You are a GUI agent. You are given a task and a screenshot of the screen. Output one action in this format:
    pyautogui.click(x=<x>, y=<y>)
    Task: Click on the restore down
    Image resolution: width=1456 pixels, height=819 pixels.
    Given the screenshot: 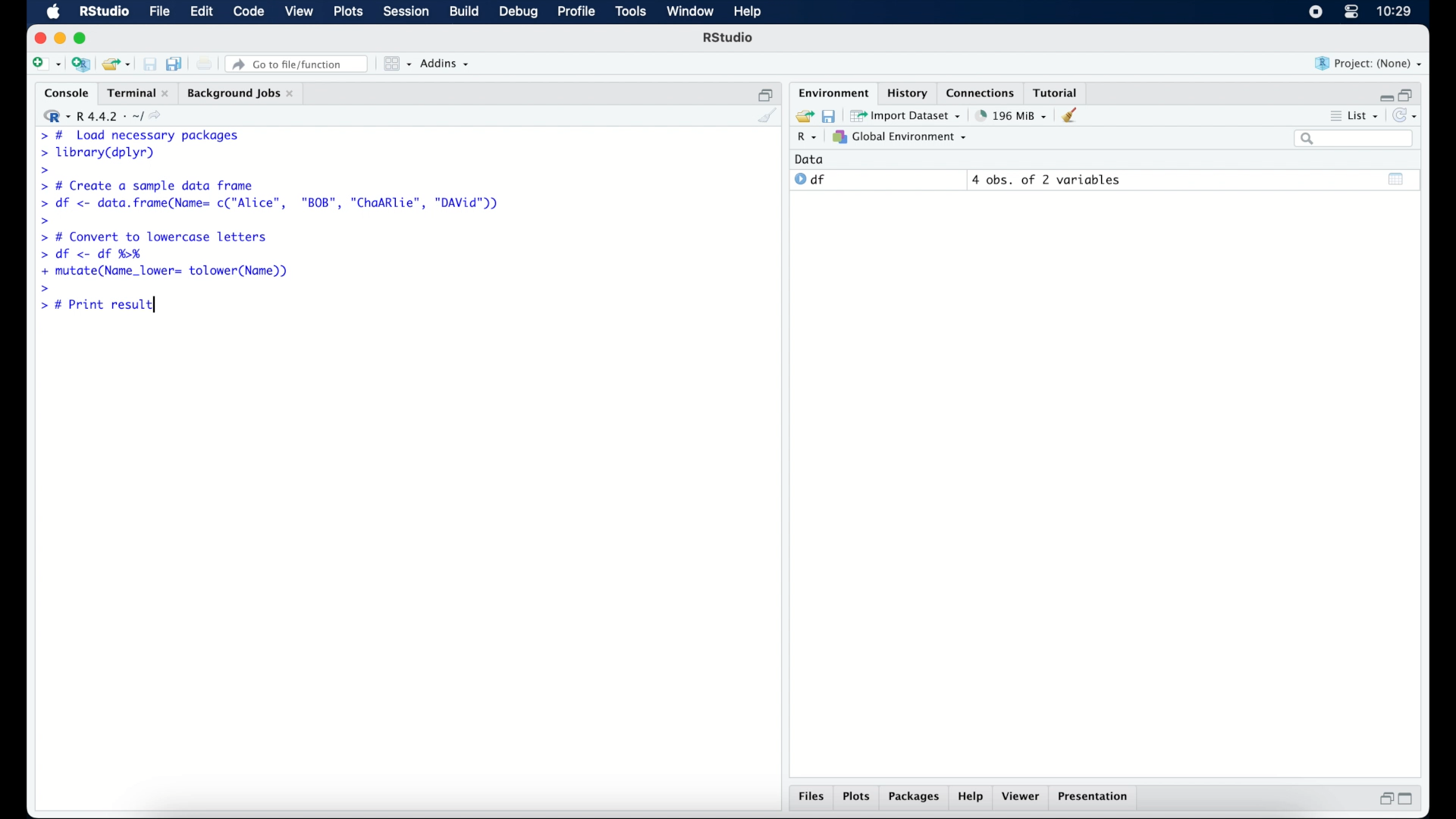 What is the action you would take?
    pyautogui.click(x=766, y=93)
    